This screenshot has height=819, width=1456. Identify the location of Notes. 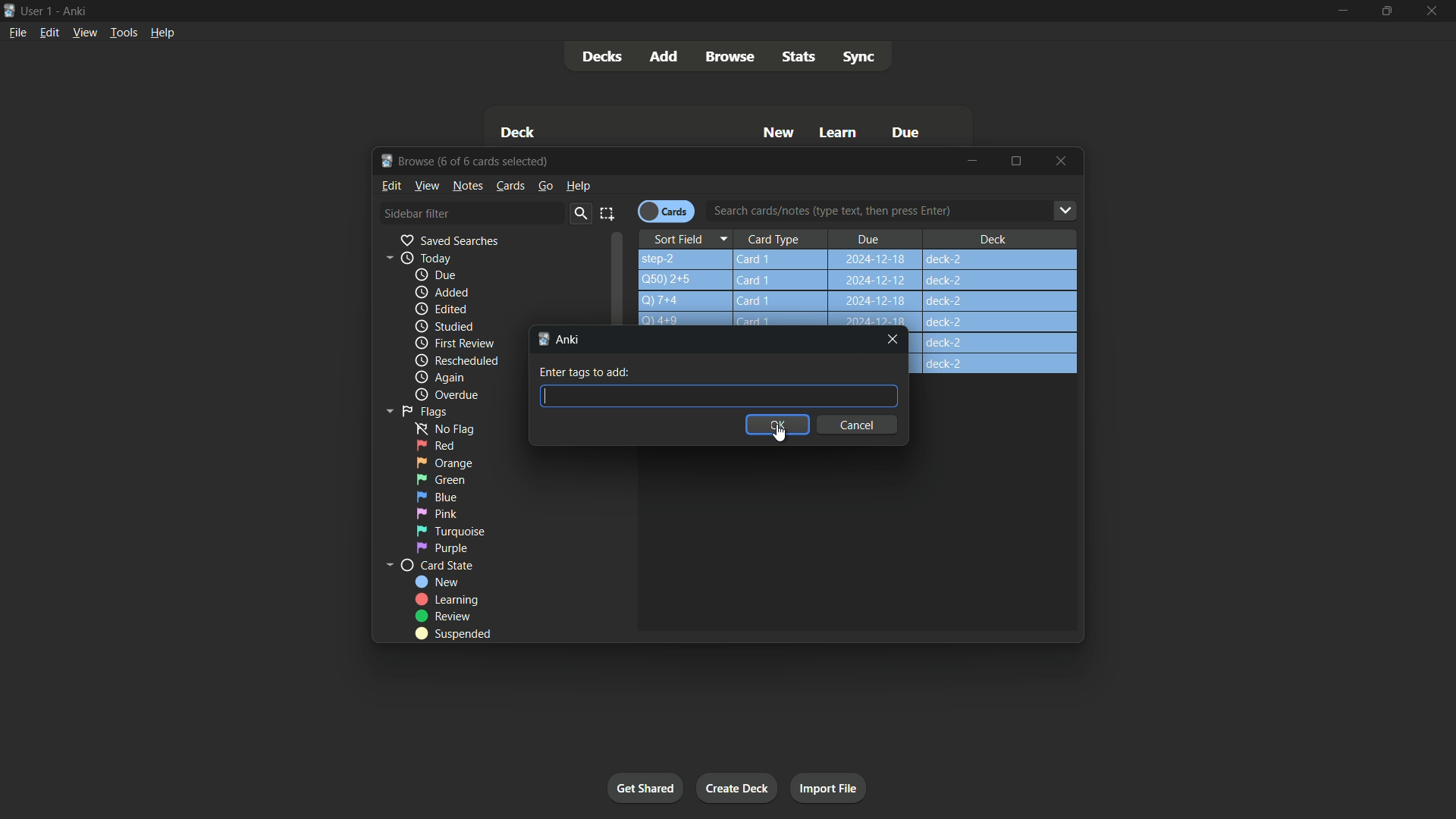
(469, 186).